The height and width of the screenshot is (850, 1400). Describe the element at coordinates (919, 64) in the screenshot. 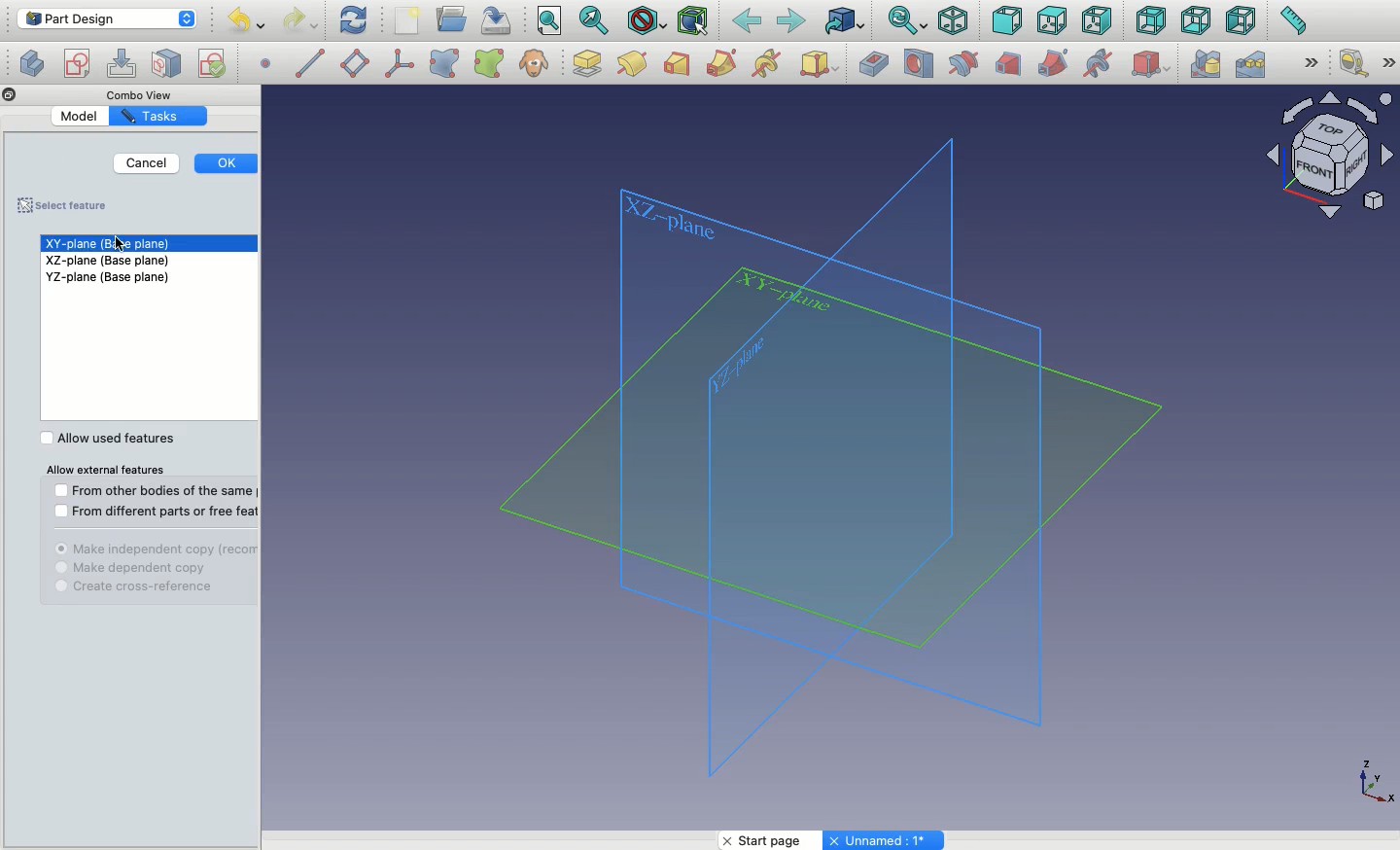

I see `Hole` at that location.